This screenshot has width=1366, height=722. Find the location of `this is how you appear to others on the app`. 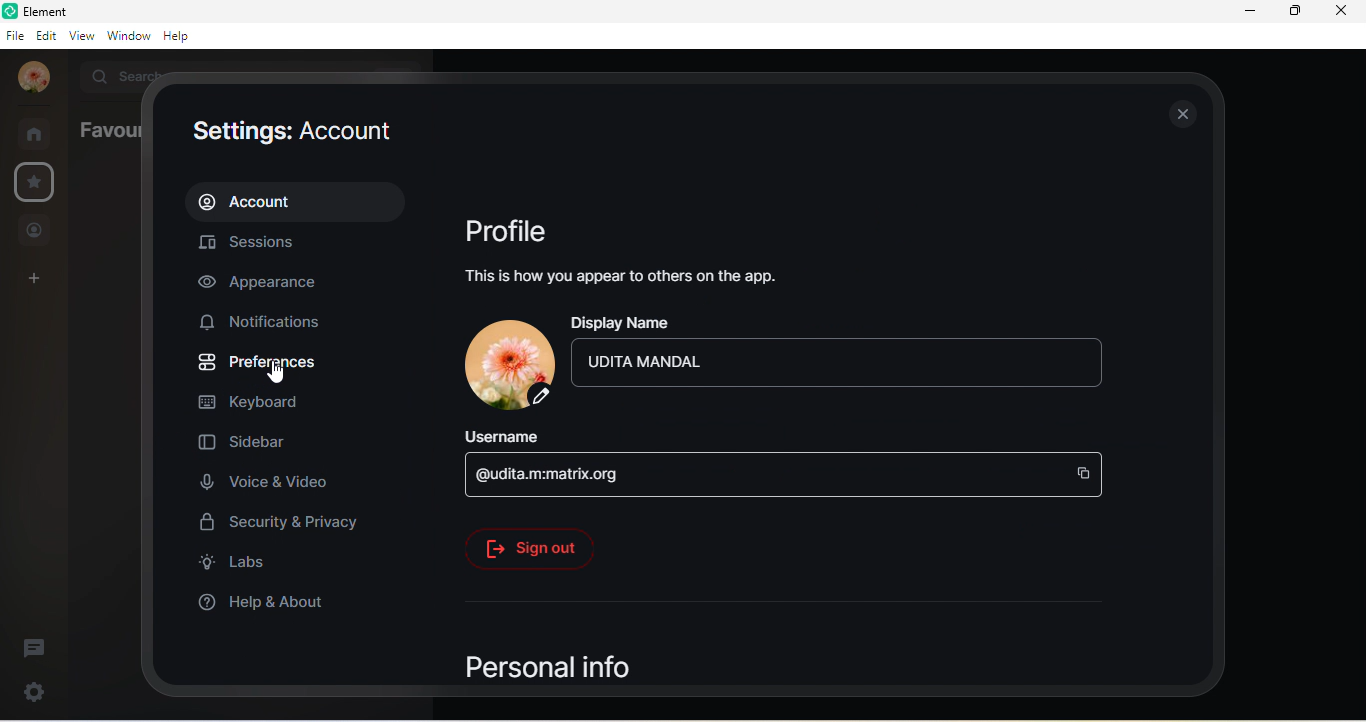

this is how you appear to others on the app is located at coordinates (621, 280).